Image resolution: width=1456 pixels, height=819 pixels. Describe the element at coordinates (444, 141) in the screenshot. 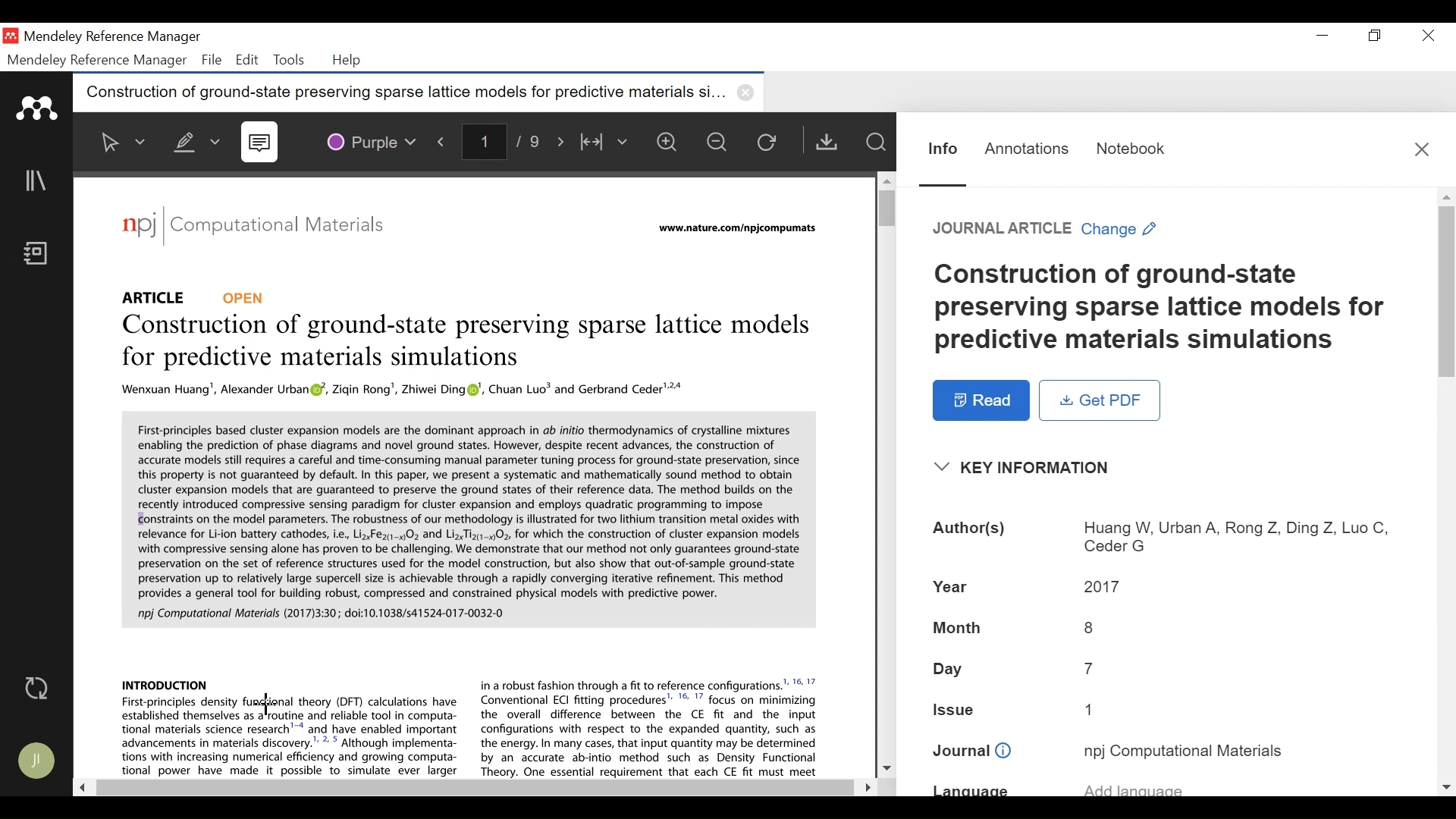

I see `Previous Page` at that location.